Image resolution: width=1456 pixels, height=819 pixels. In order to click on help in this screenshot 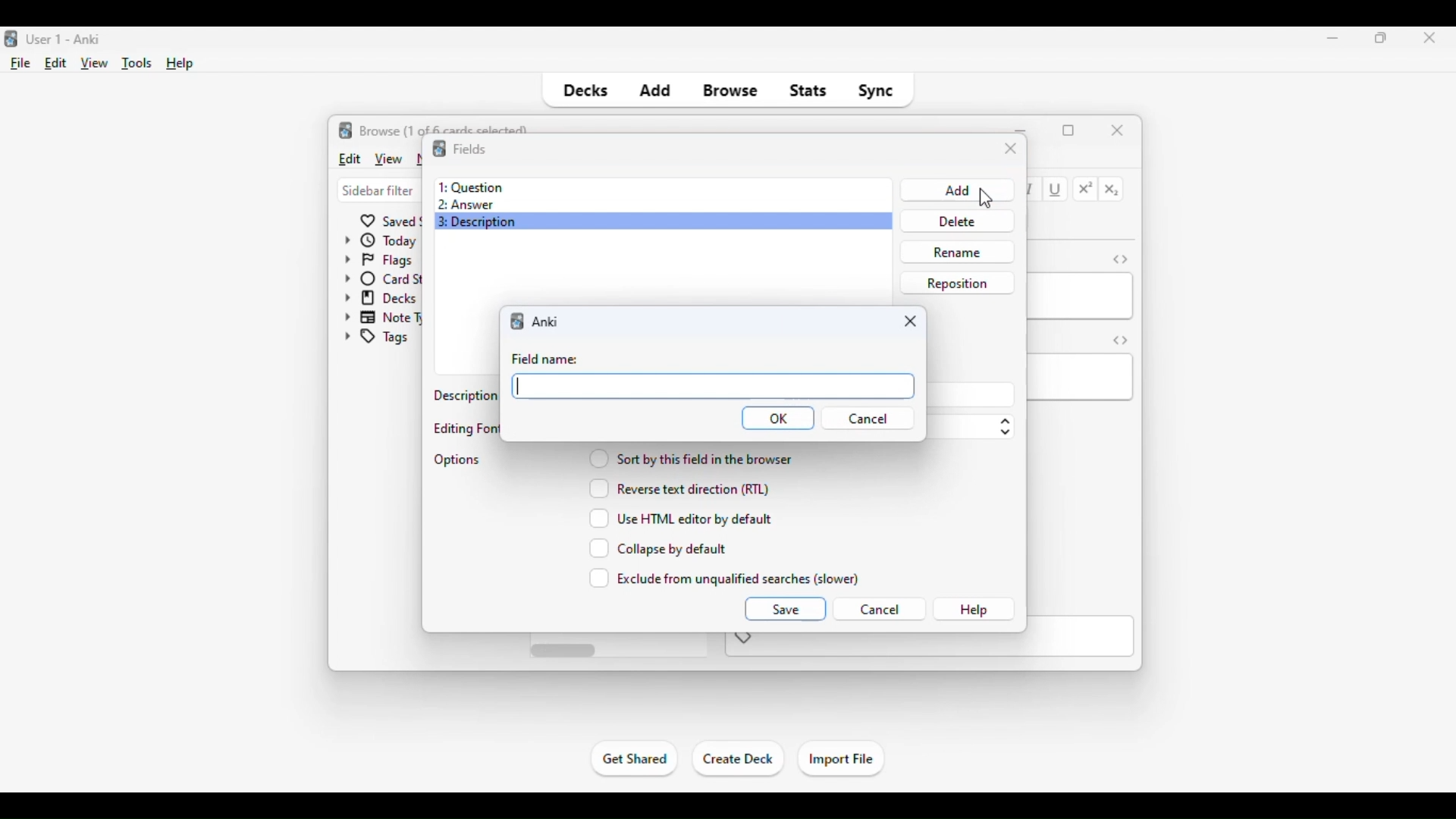, I will do `click(974, 610)`.